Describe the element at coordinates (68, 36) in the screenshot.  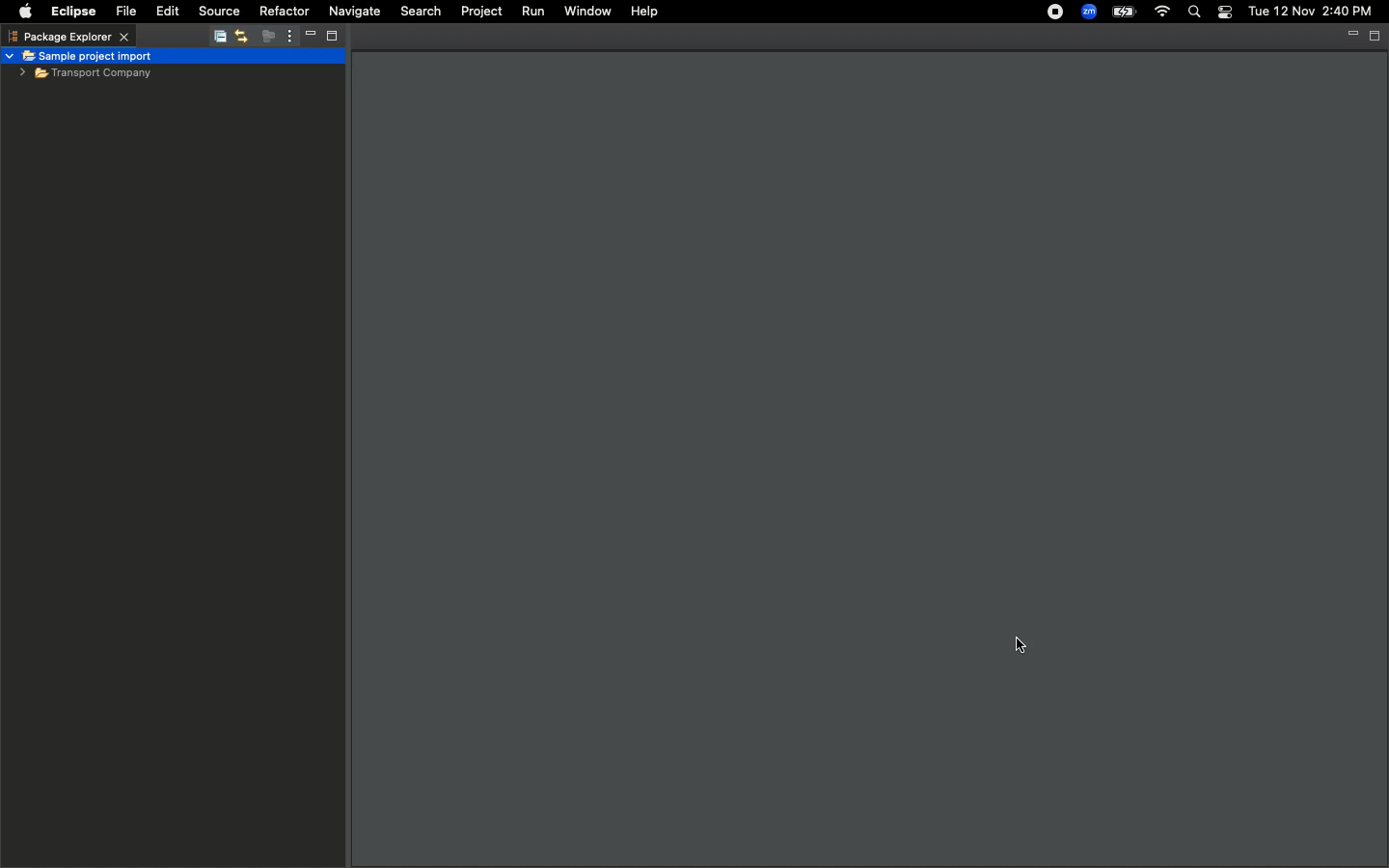
I see `Package explorer` at that location.